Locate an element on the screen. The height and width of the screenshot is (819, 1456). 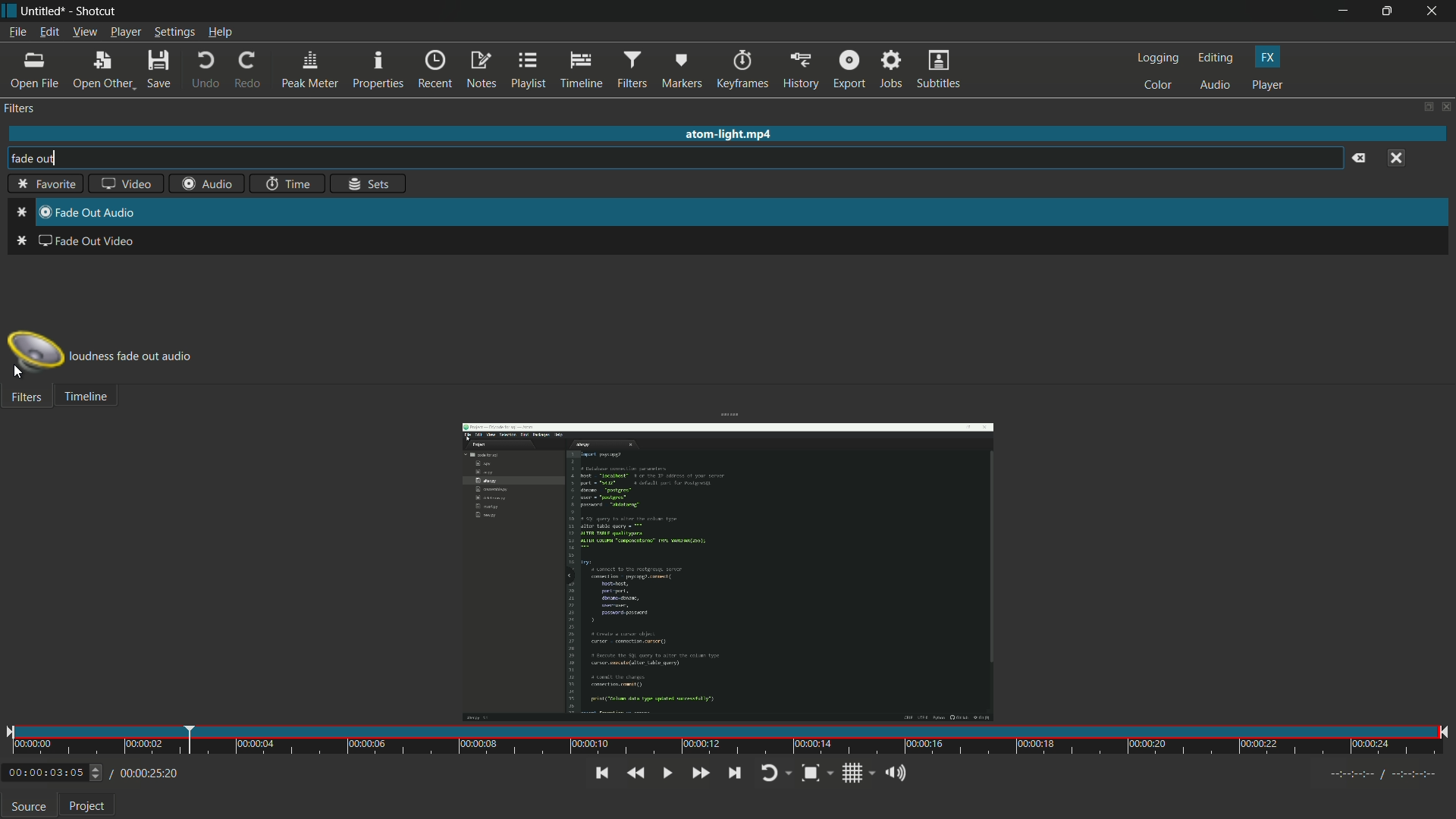
properties is located at coordinates (378, 70).